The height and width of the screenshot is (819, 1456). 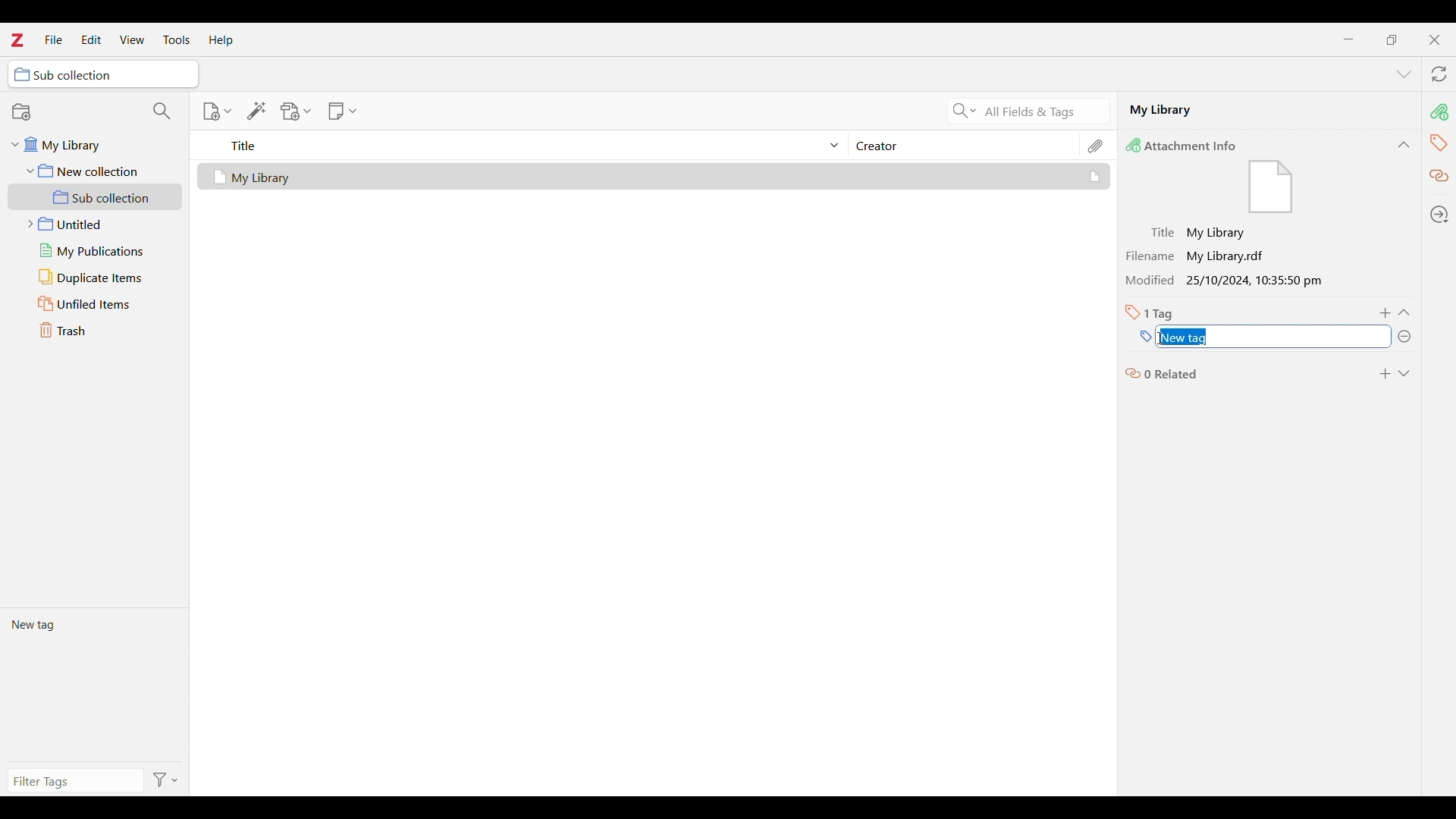 What do you see at coordinates (16, 39) in the screenshot?
I see `Software logo` at bounding box center [16, 39].